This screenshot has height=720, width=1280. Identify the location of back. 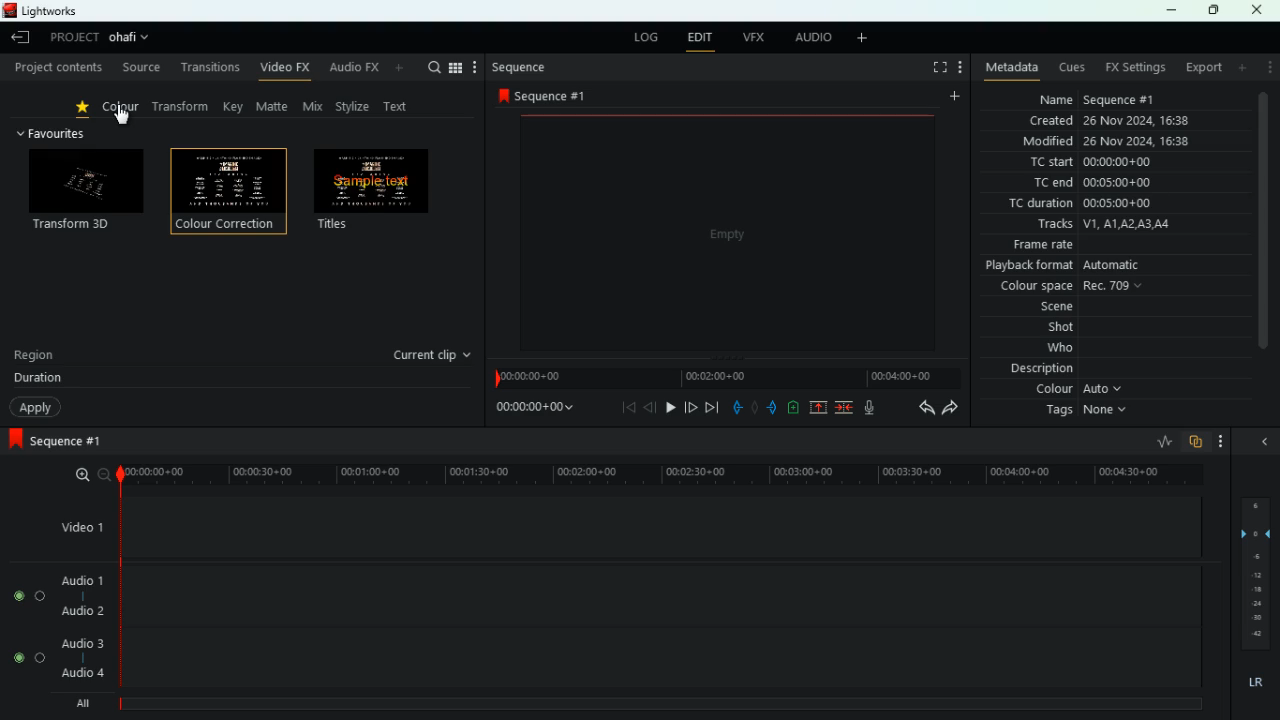
(630, 408).